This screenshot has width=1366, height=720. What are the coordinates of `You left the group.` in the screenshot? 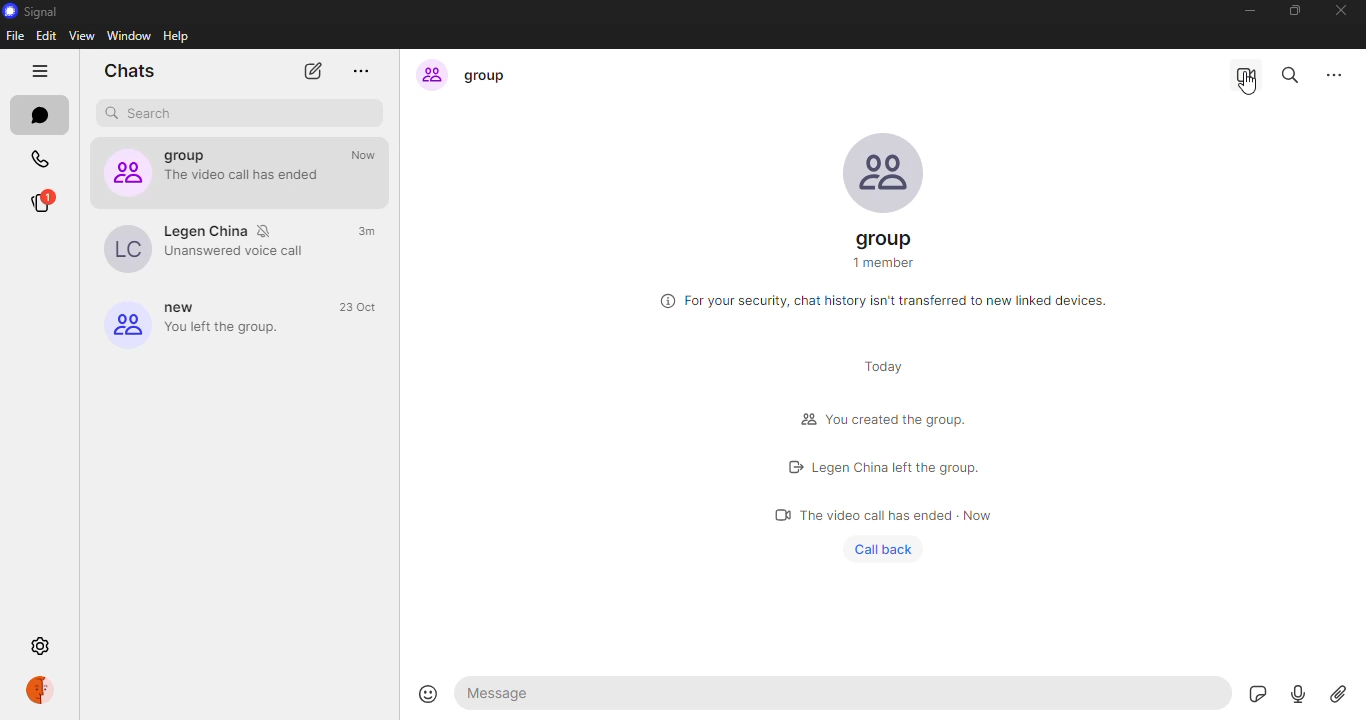 It's located at (238, 329).